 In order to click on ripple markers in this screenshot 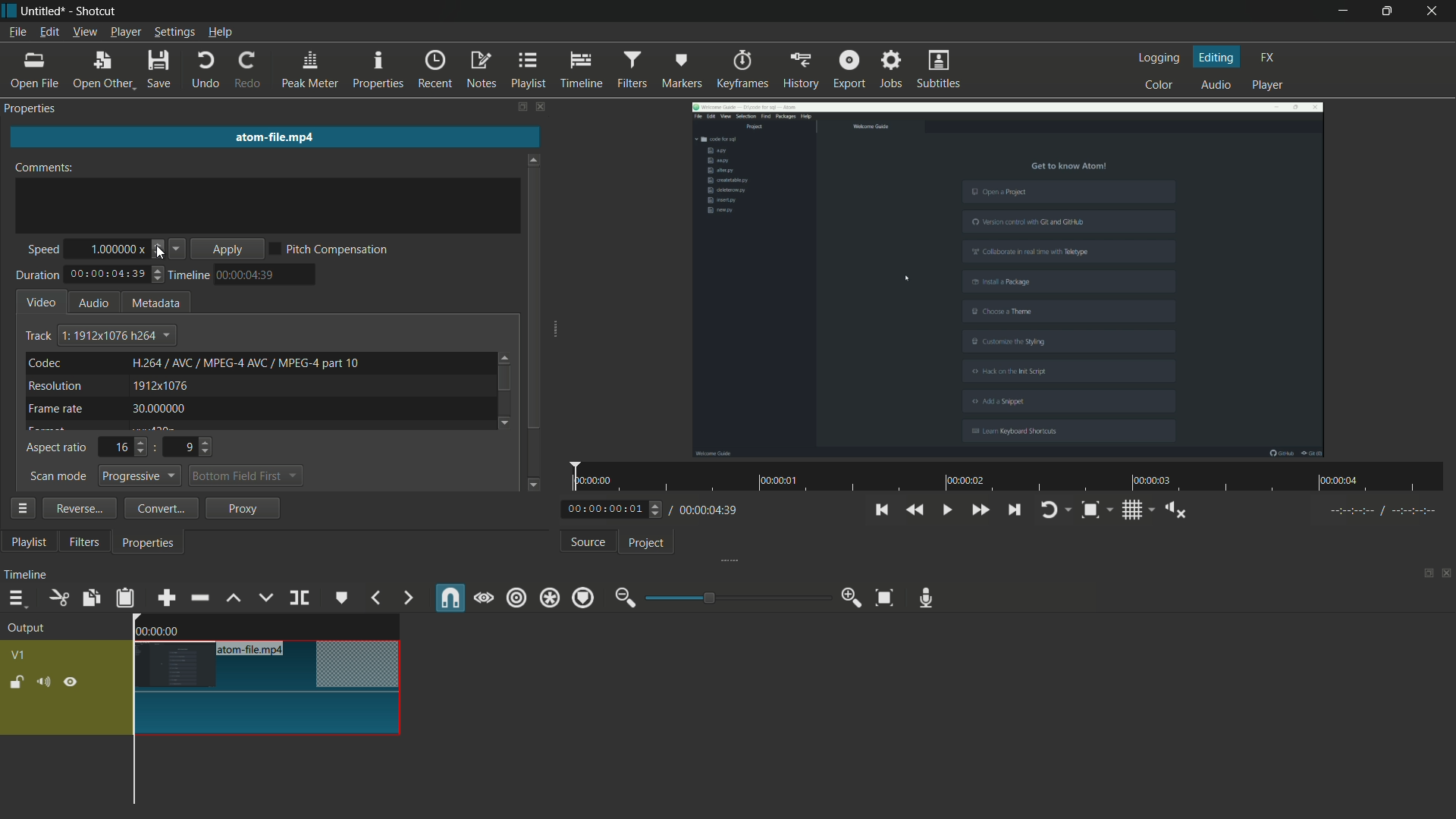, I will do `click(583, 598)`.